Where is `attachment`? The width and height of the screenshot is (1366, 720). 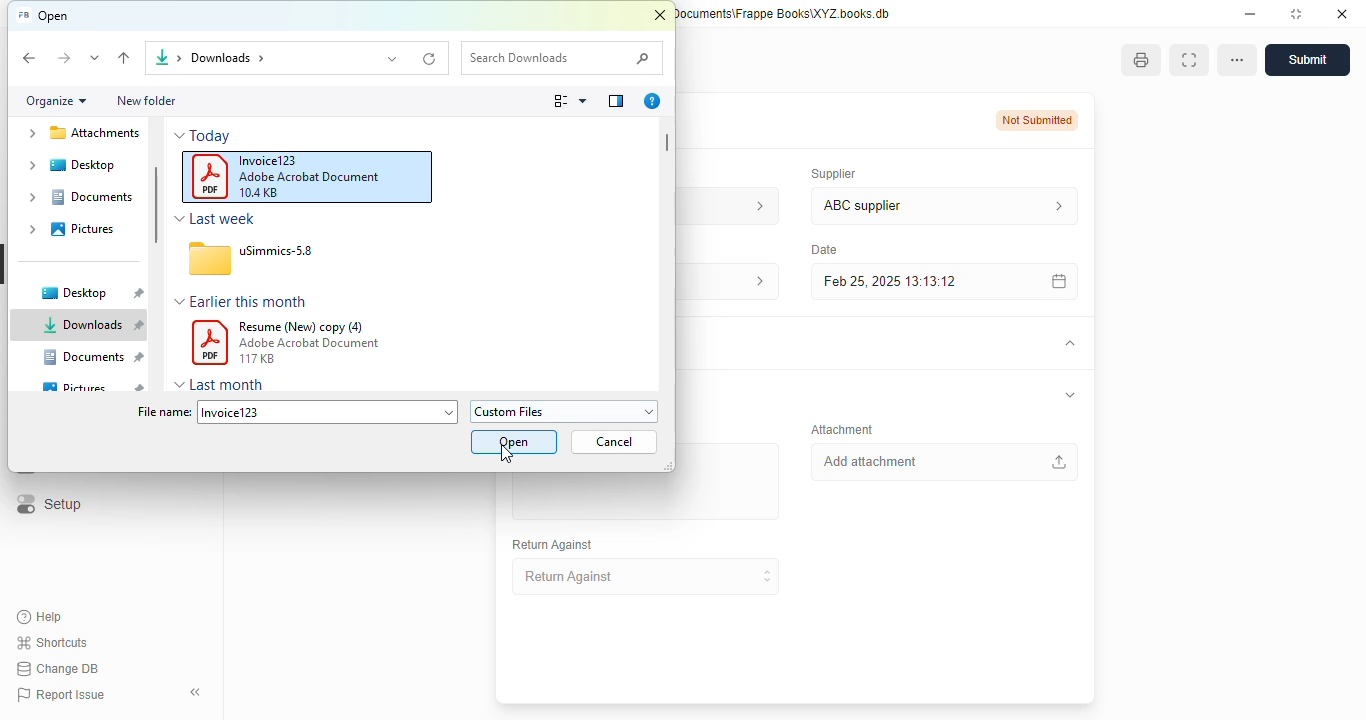 attachment is located at coordinates (842, 429).